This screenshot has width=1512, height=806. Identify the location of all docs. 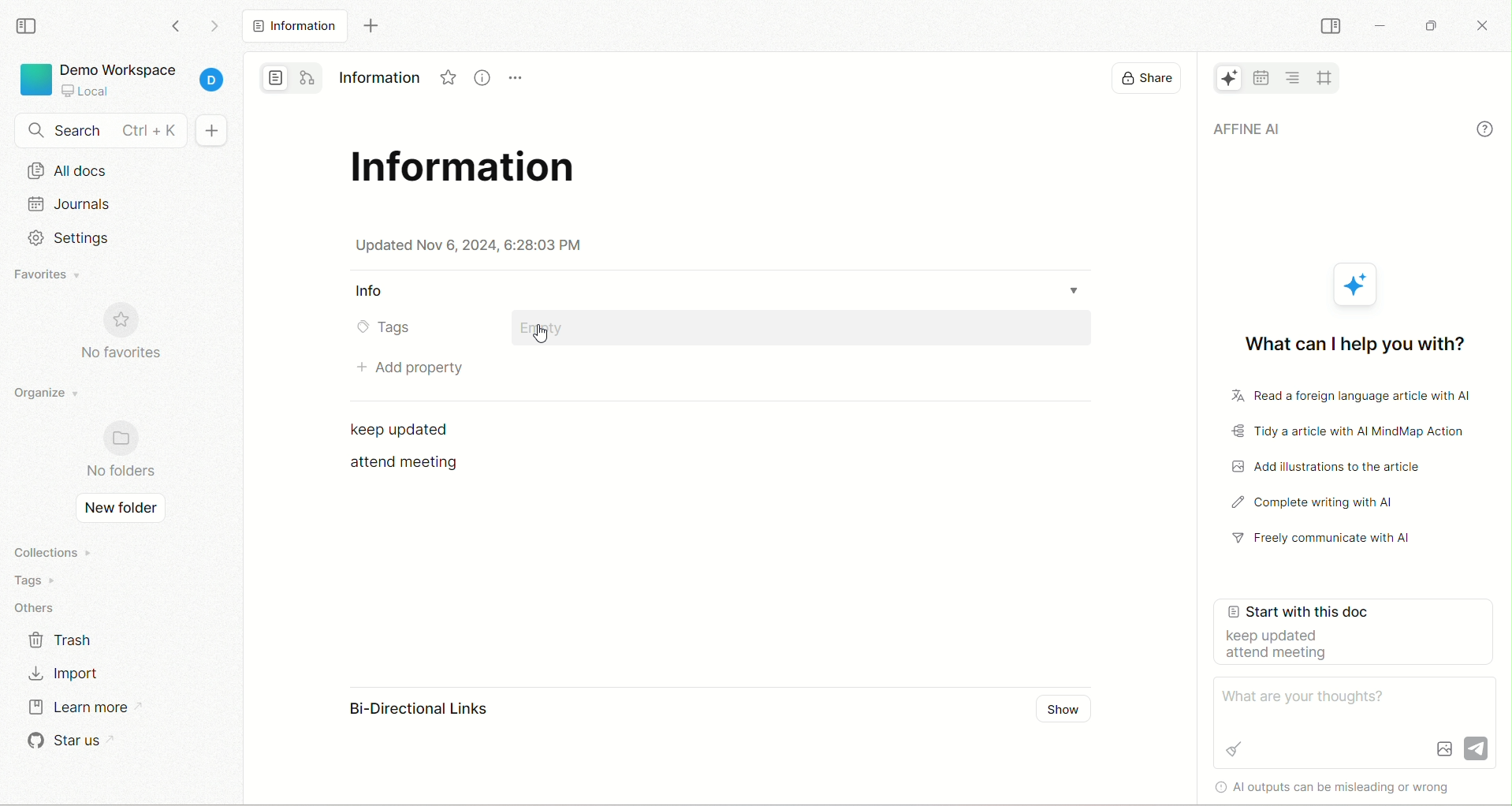
(120, 174).